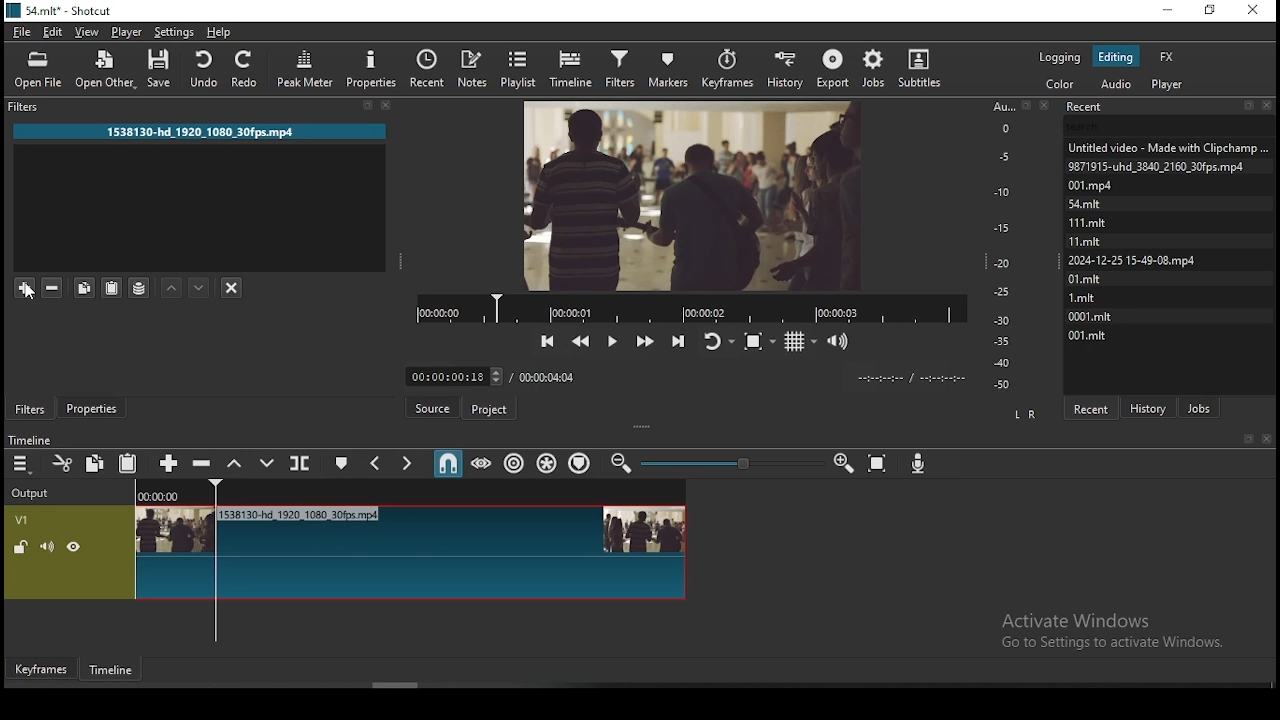 The height and width of the screenshot is (720, 1280). I want to click on toggle grid display on the player, so click(798, 339).